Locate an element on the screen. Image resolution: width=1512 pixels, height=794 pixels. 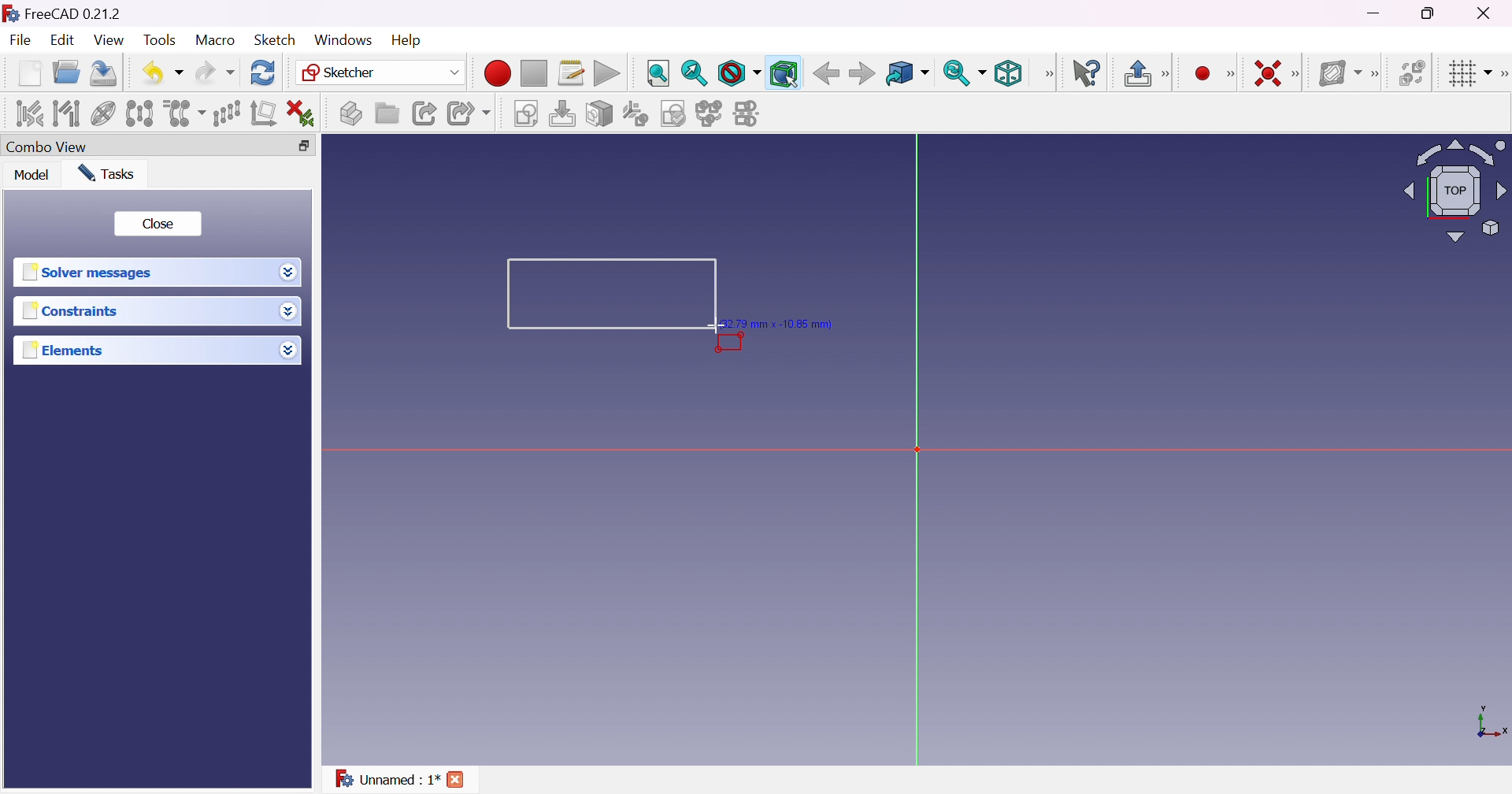
Remove axes alignment is located at coordinates (262, 114).